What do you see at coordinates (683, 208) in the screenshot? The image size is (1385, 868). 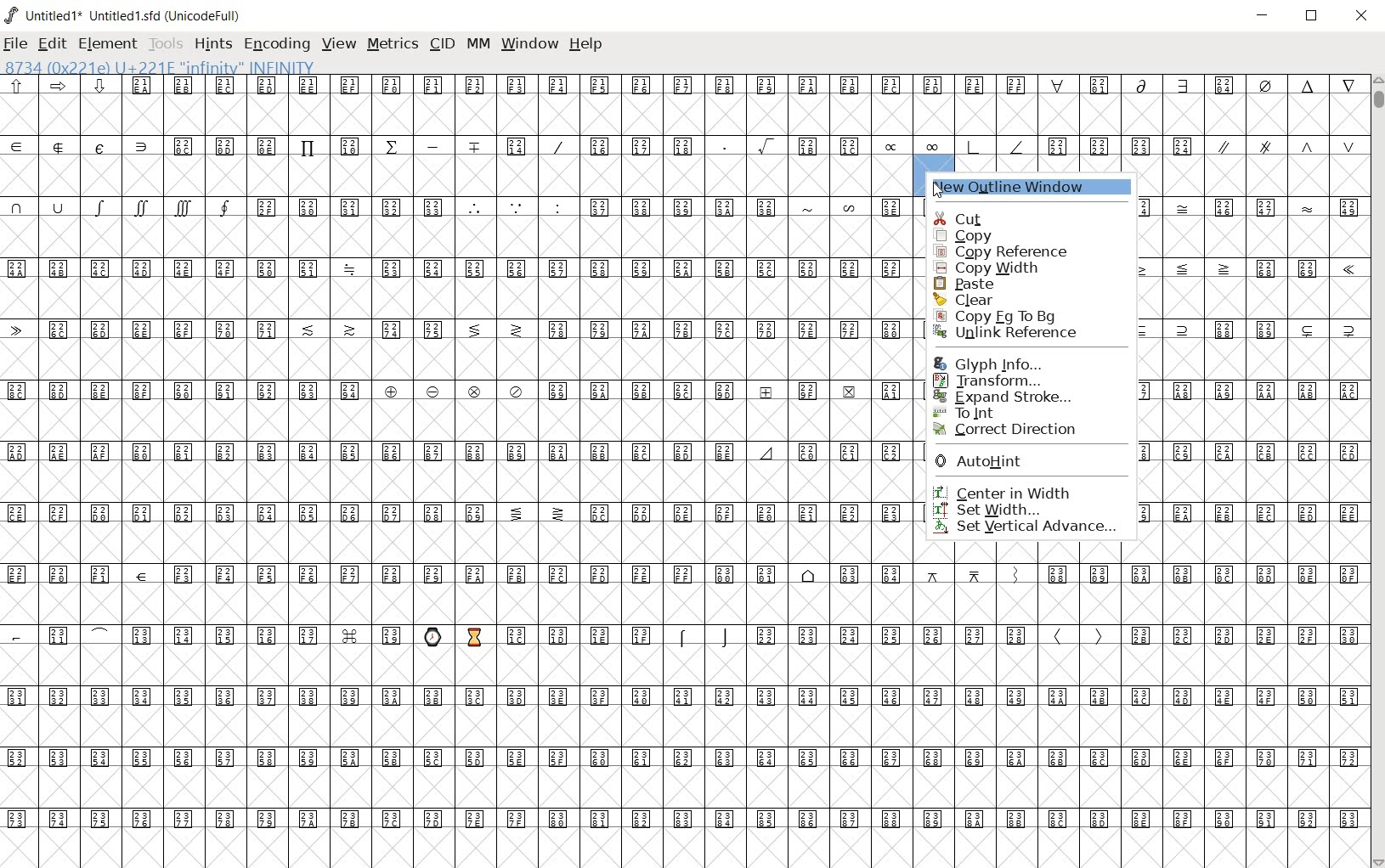 I see `Unicode code points` at bounding box center [683, 208].